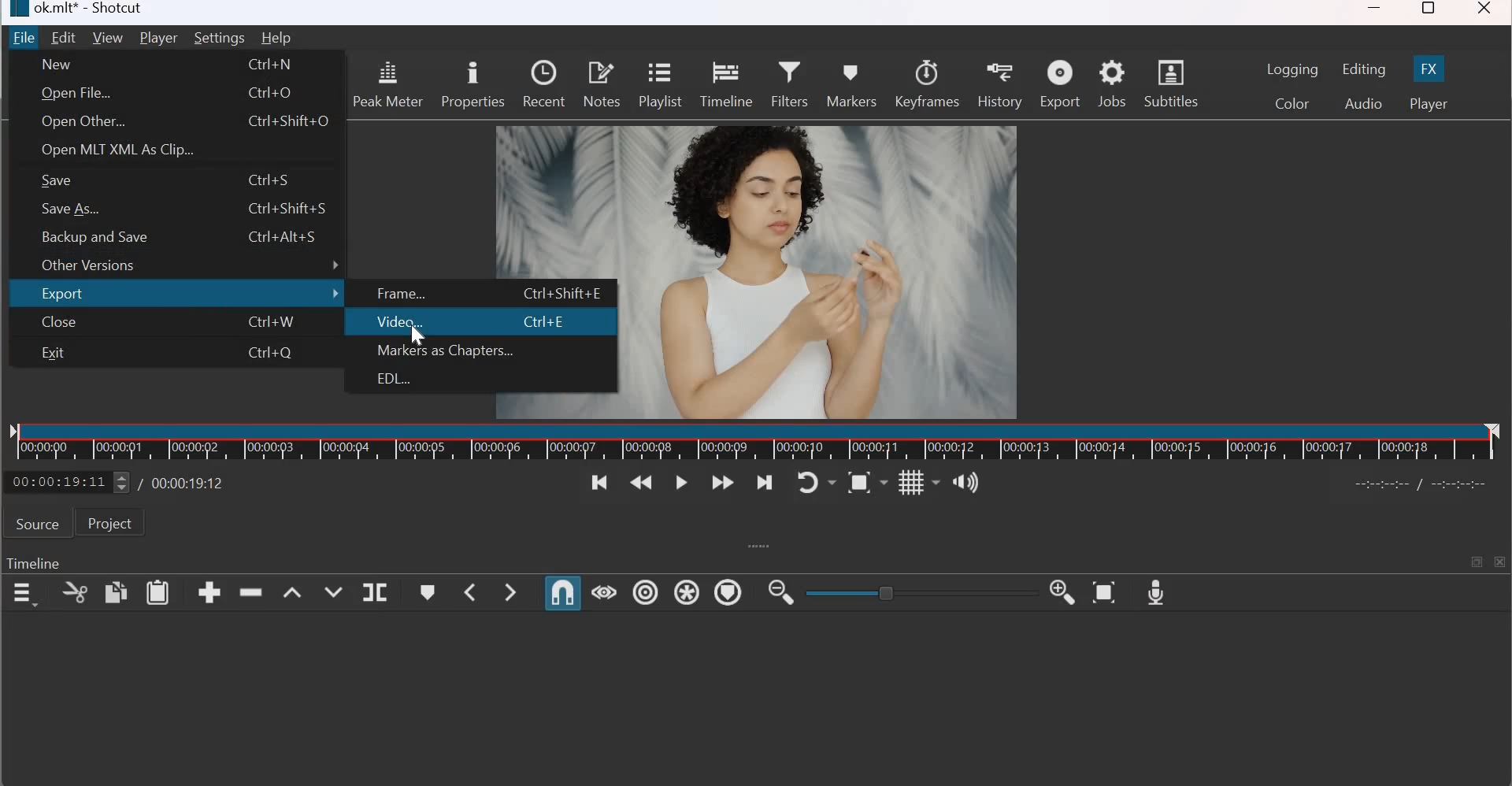 This screenshot has width=1512, height=786. I want to click on New, so click(57, 63).